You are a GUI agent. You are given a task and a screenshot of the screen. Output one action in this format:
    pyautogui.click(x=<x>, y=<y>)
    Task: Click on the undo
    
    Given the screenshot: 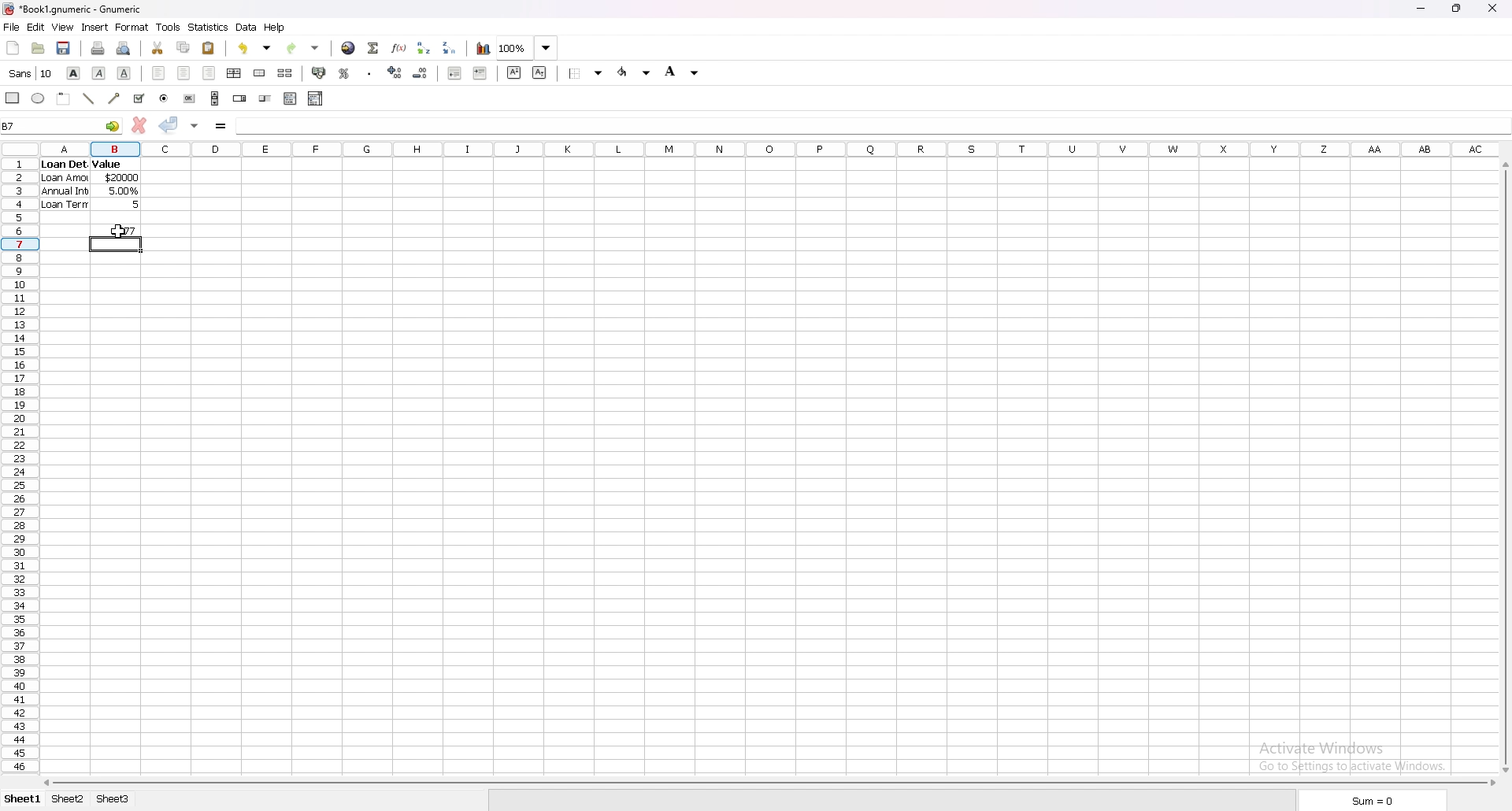 What is the action you would take?
    pyautogui.click(x=255, y=48)
    